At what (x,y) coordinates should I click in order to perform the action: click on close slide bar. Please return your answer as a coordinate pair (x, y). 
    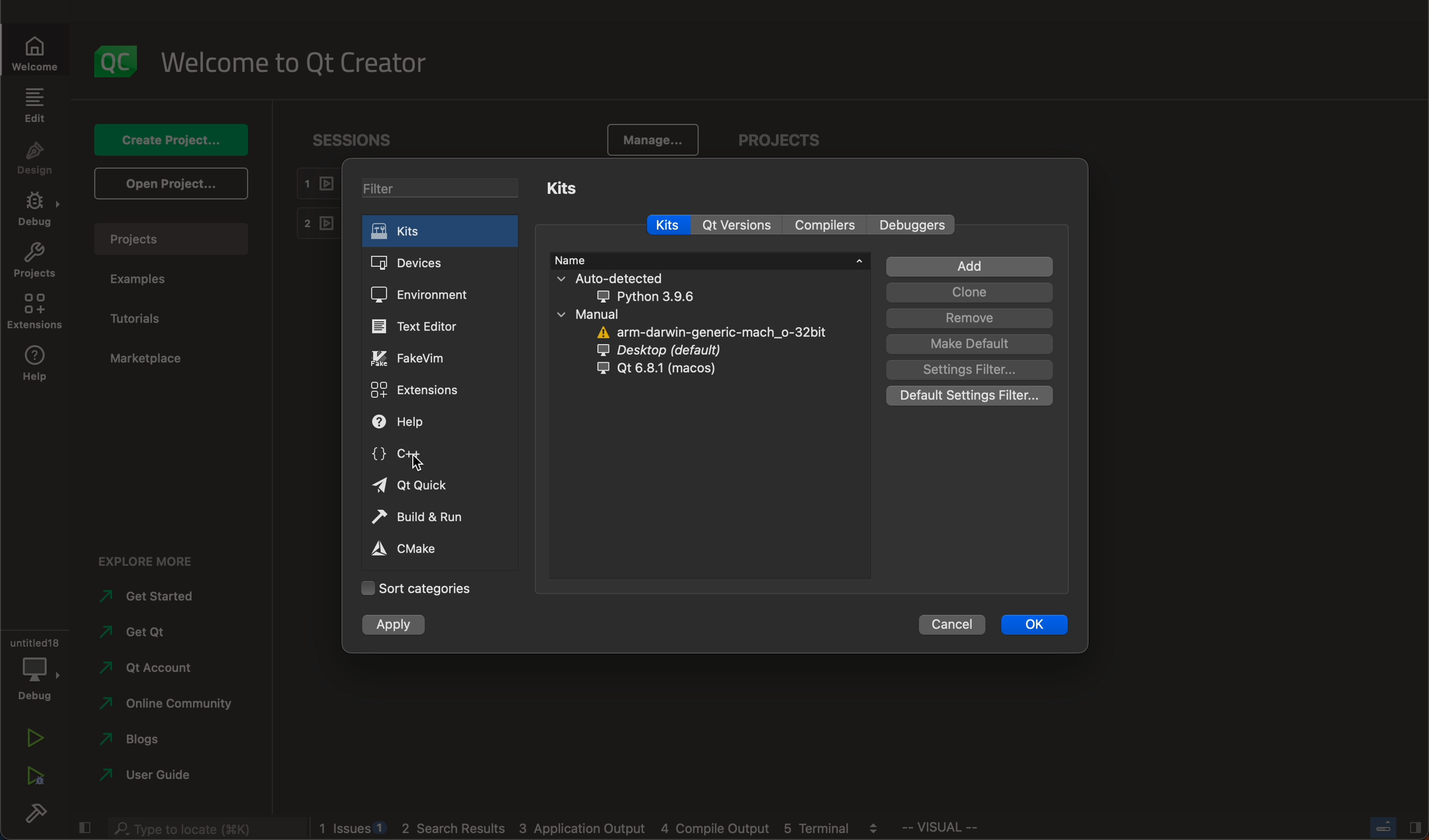
    Looking at the image, I should click on (83, 825).